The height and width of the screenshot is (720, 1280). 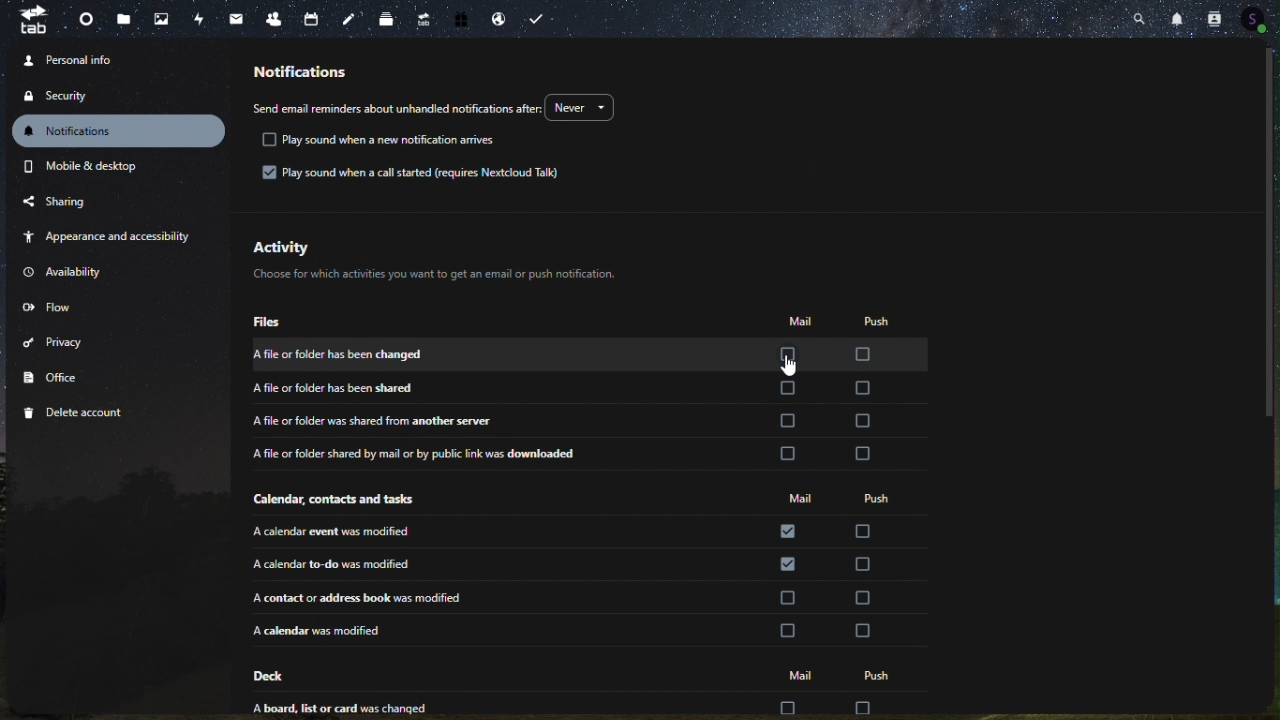 What do you see at coordinates (287, 245) in the screenshot?
I see `activity` at bounding box center [287, 245].